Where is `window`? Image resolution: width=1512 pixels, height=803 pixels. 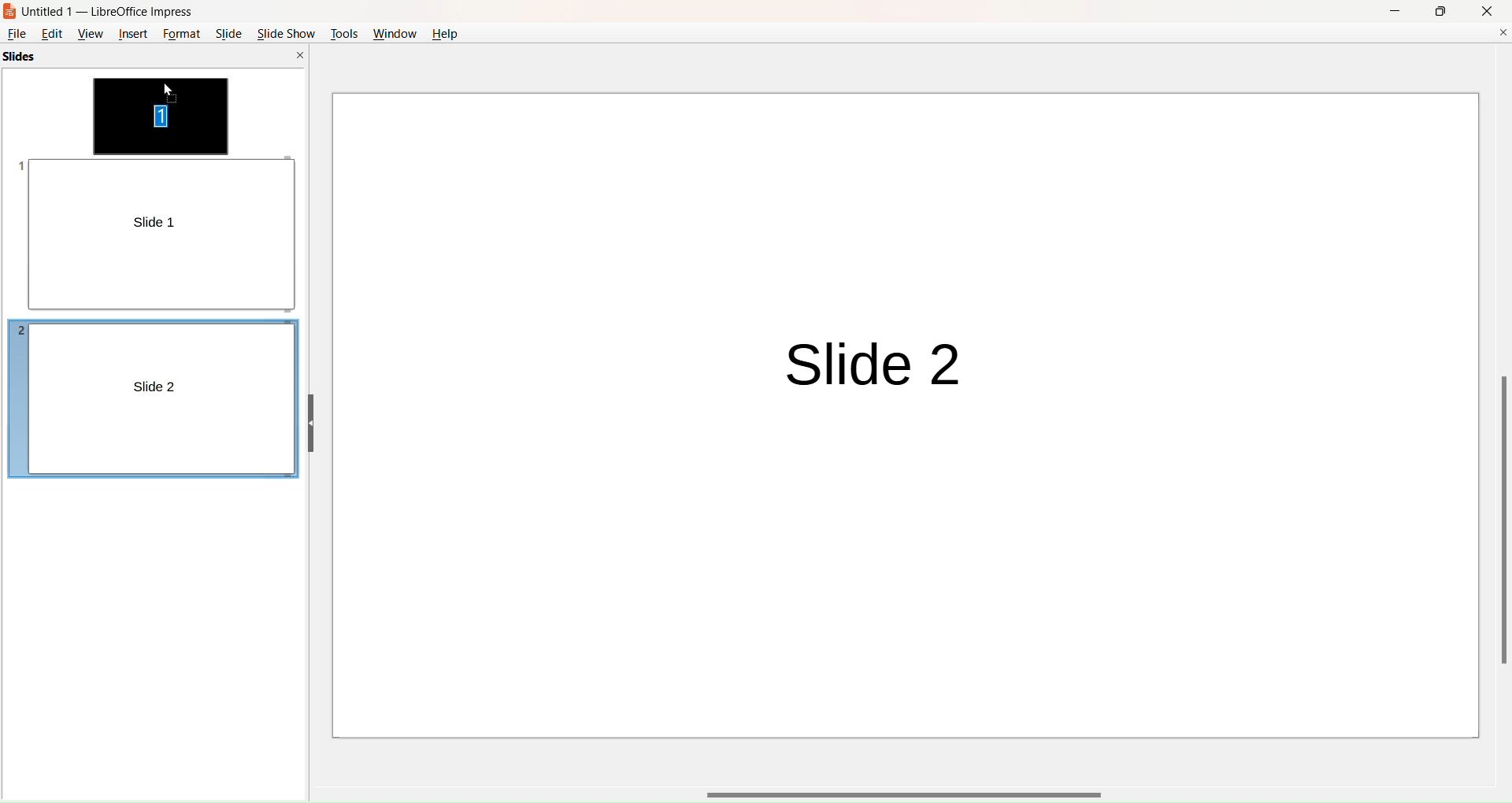
window is located at coordinates (392, 33).